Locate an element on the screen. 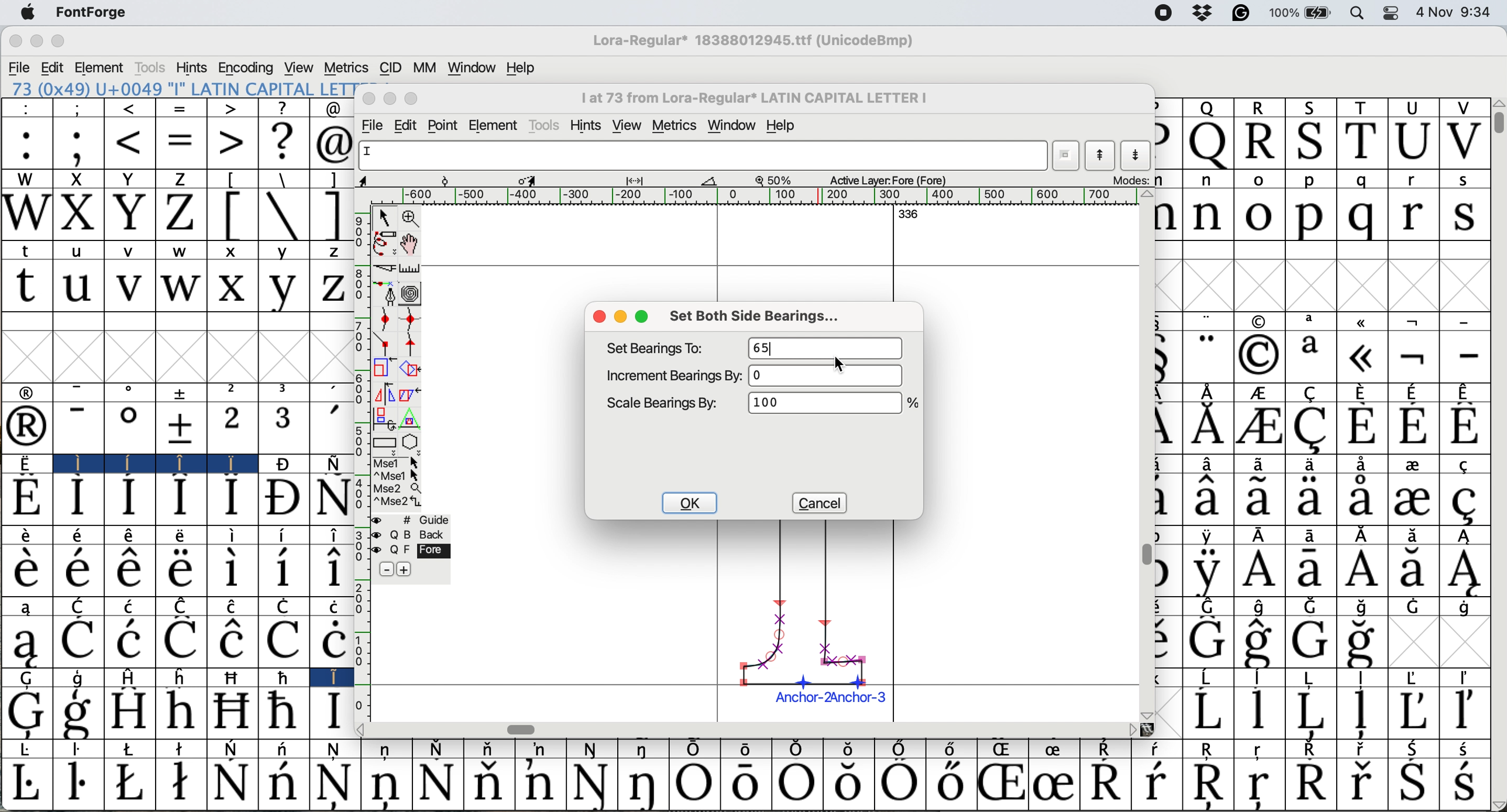 This screenshot has height=812, width=1507. Symbol is located at coordinates (333, 535).